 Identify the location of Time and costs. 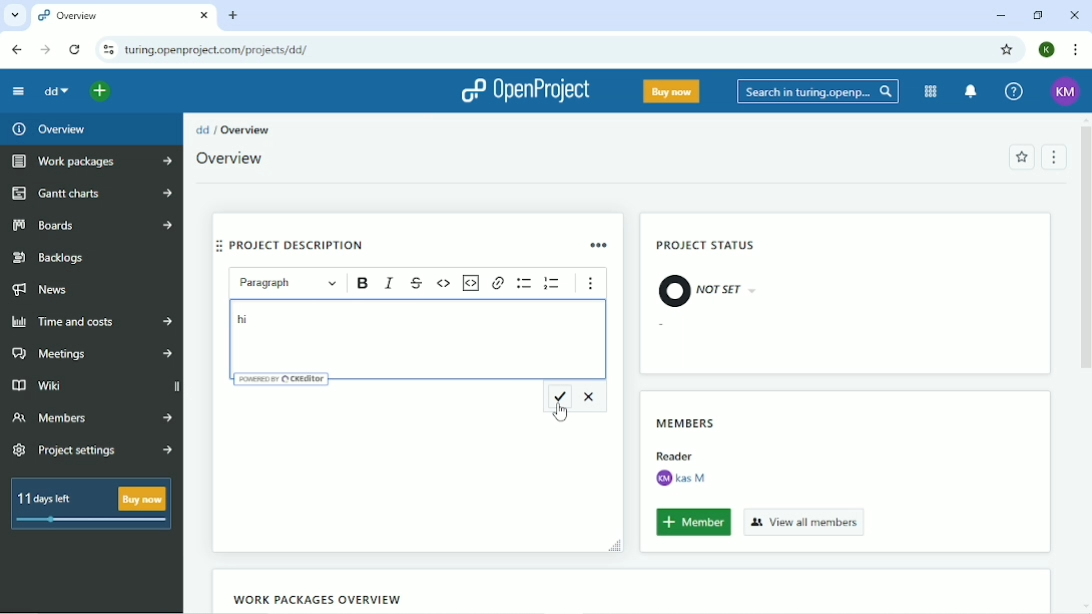
(92, 322).